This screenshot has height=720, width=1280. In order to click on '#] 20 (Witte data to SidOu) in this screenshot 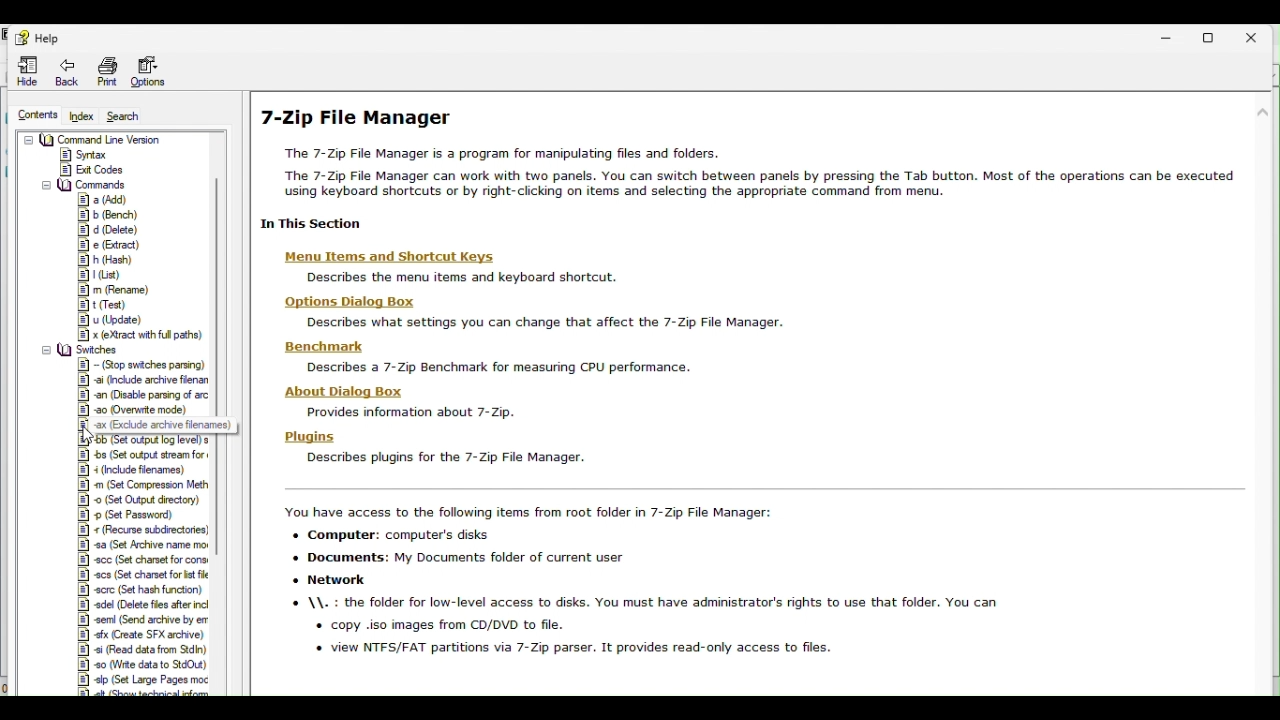, I will do `click(142, 663)`.